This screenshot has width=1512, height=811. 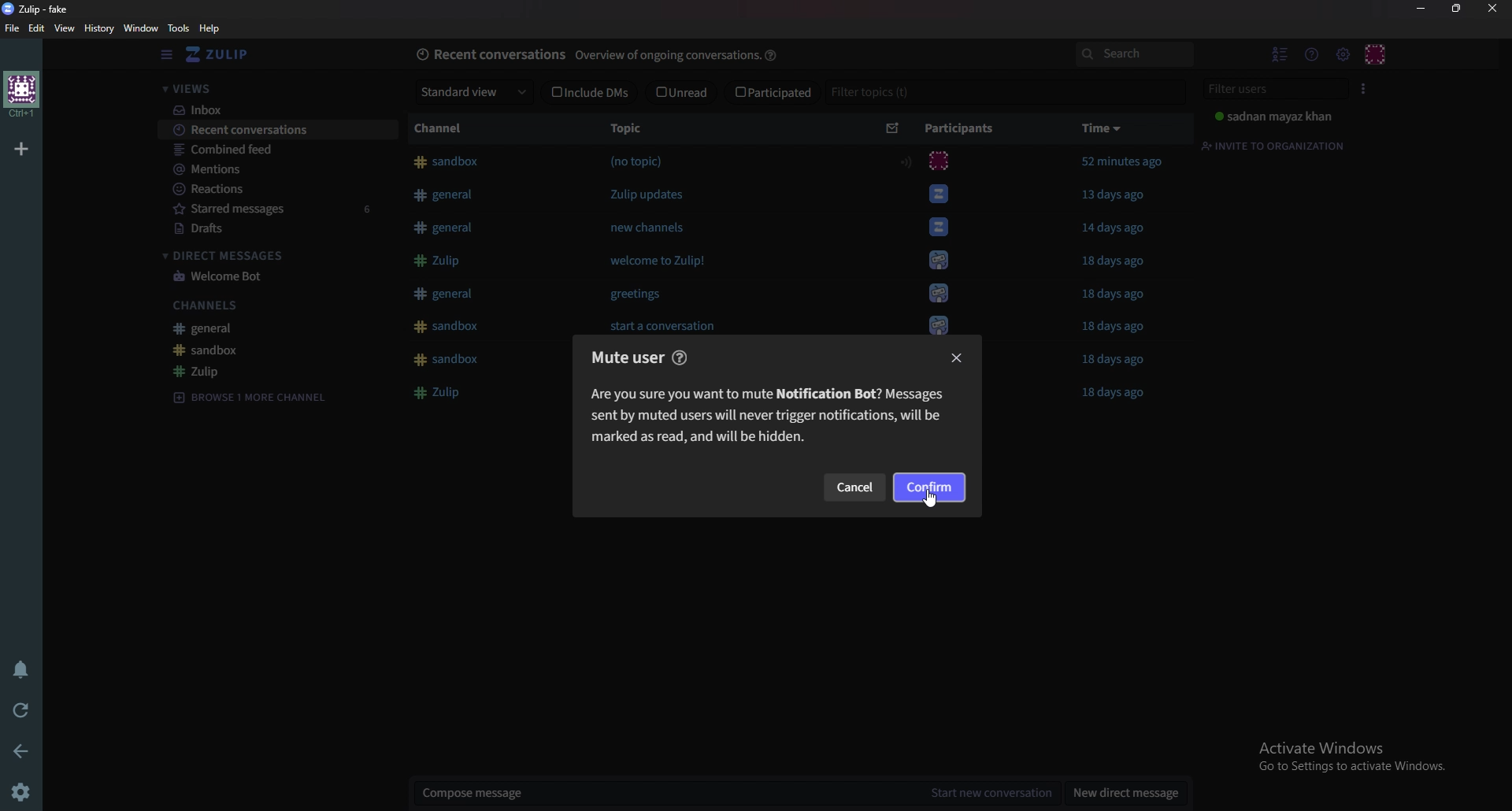 What do you see at coordinates (909, 163) in the screenshot?
I see `Range` at bounding box center [909, 163].